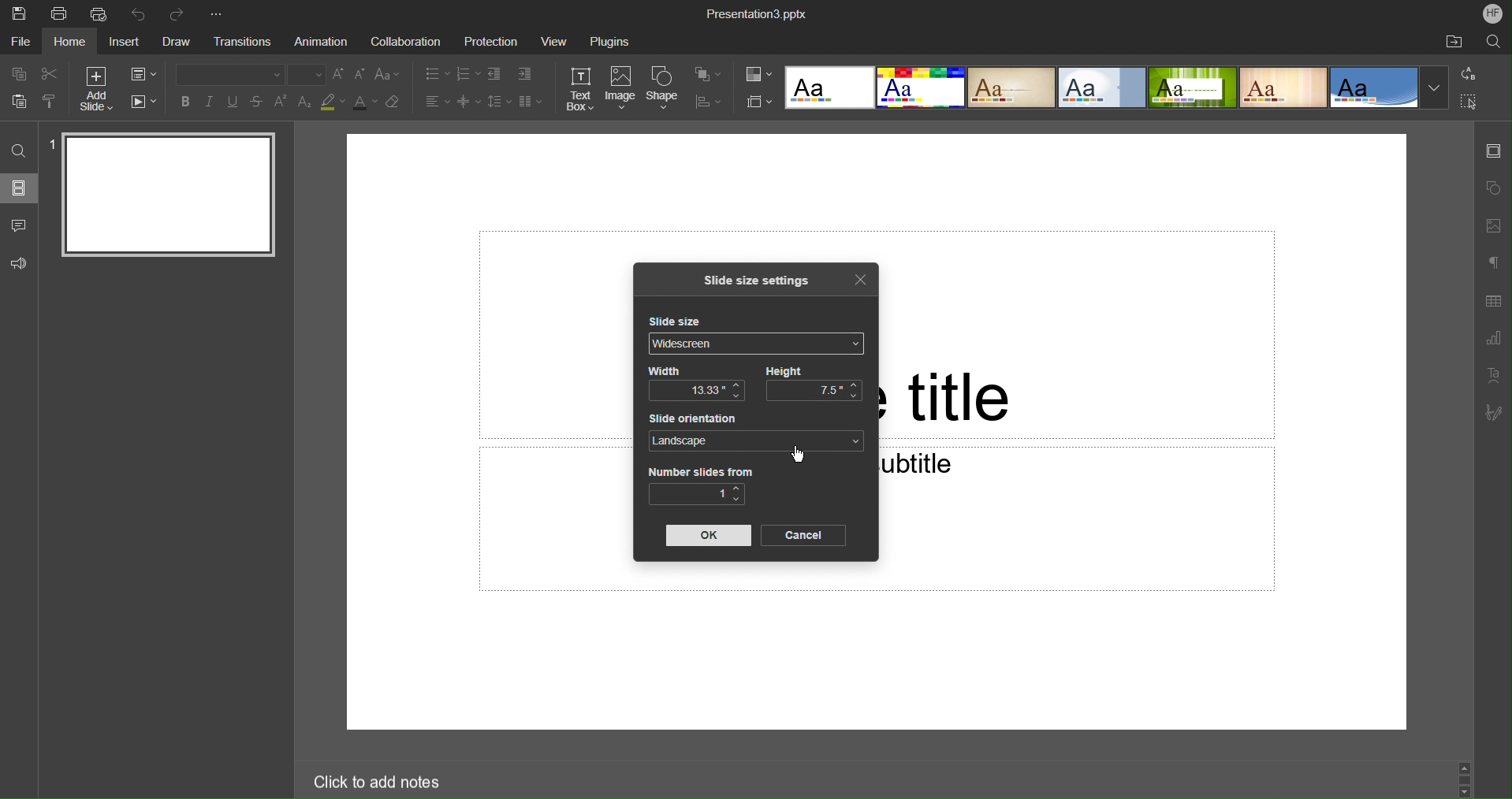  What do you see at coordinates (709, 102) in the screenshot?
I see `Align` at bounding box center [709, 102].